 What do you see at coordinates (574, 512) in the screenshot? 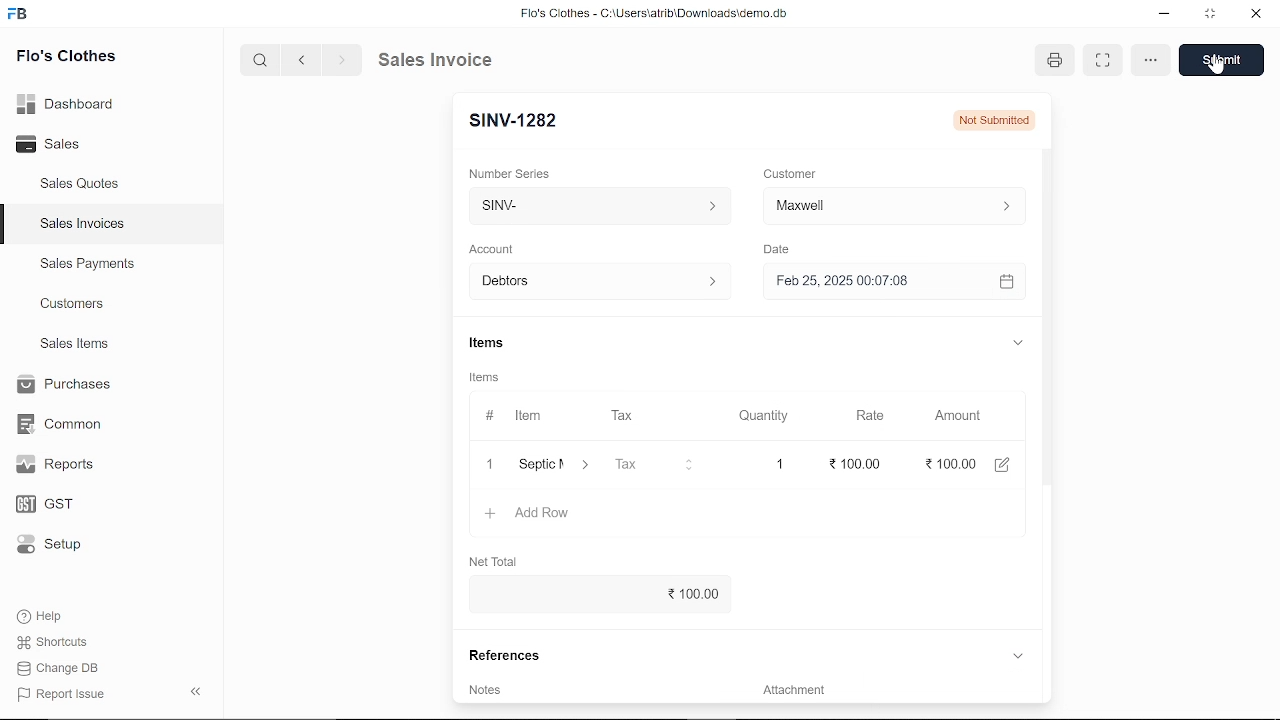
I see `‘Septic Maintenence` at bounding box center [574, 512].